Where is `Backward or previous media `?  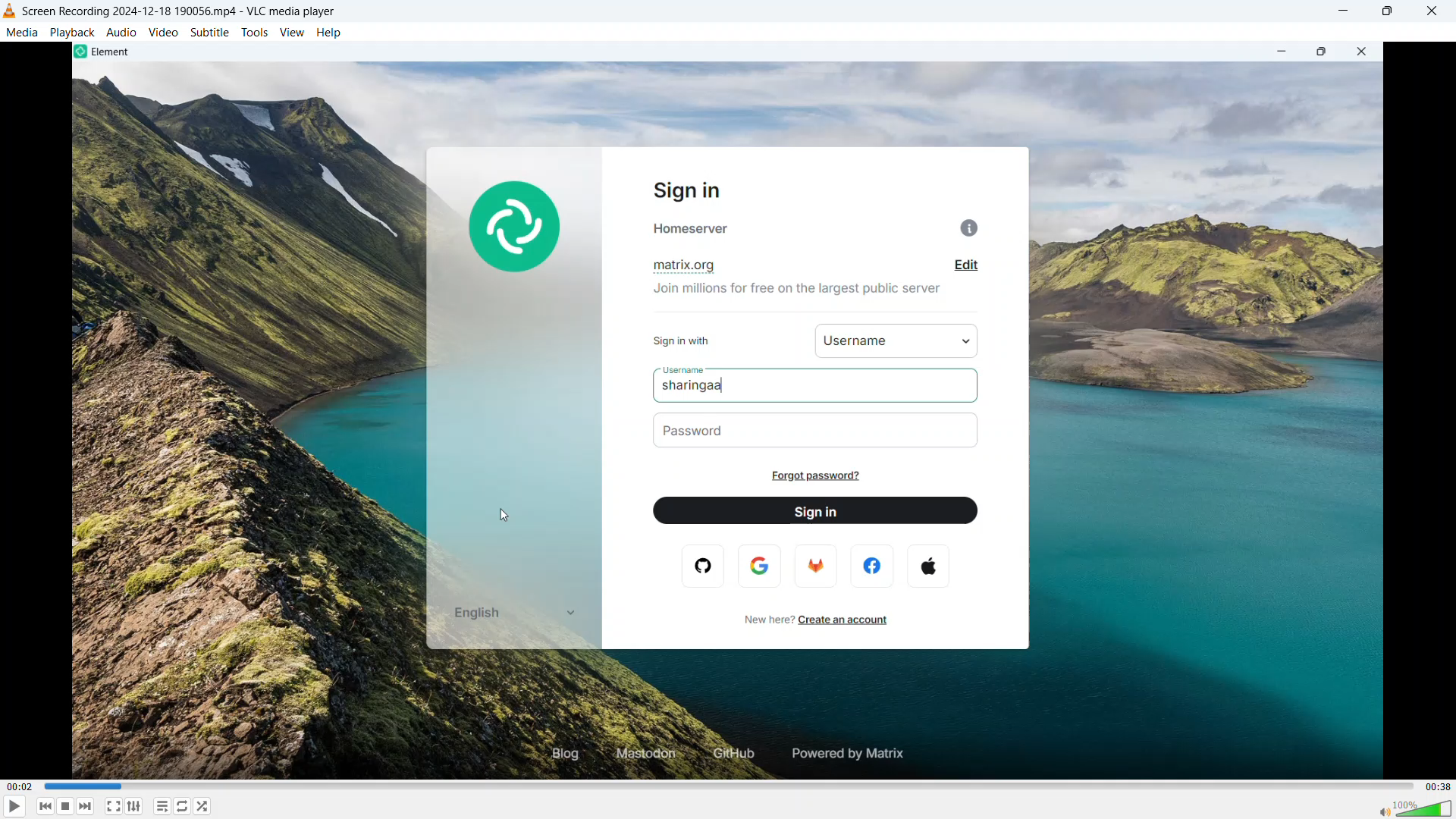 Backward or previous media  is located at coordinates (86, 806).